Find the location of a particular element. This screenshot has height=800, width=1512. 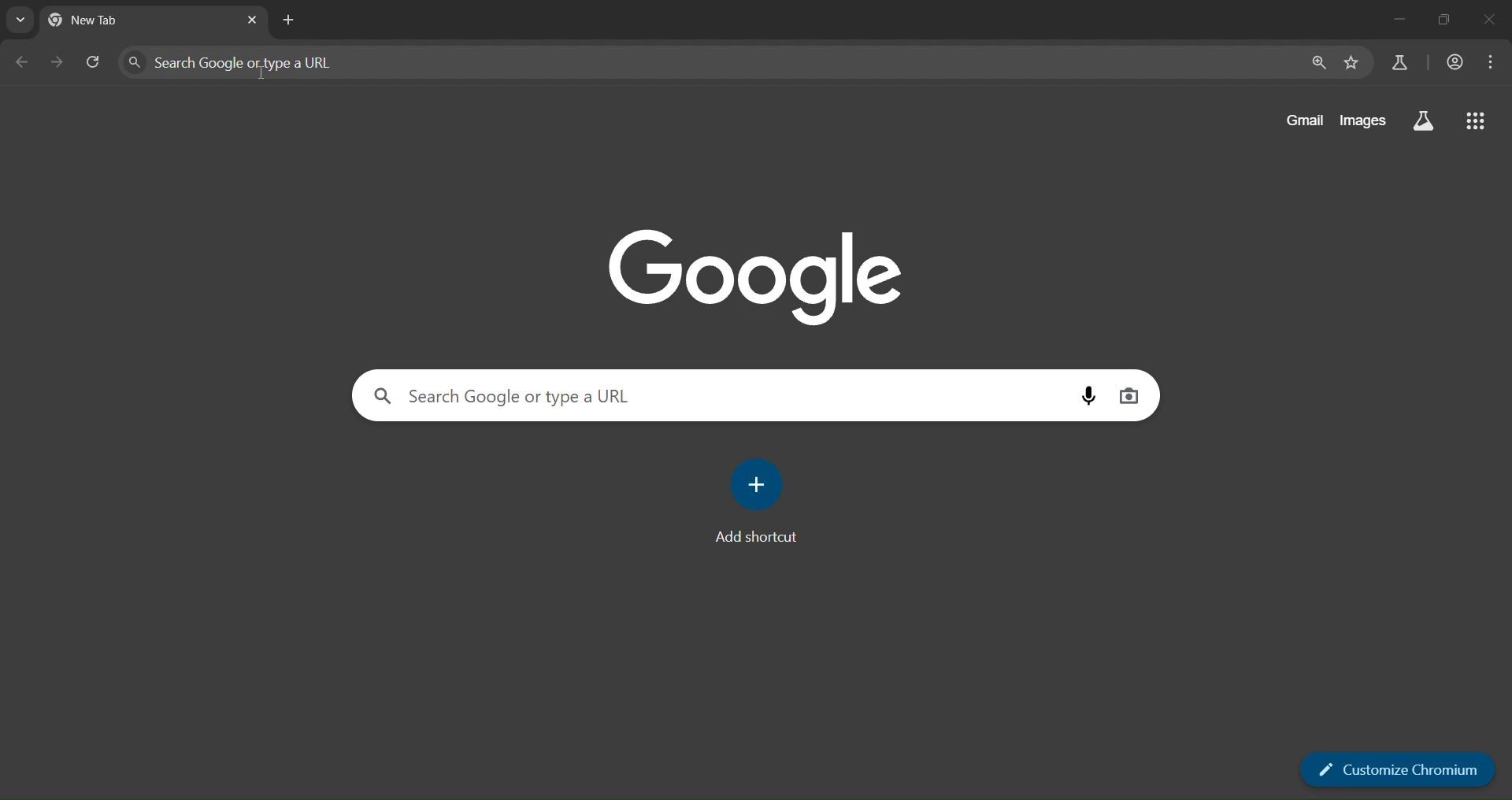

gmail is located at coordinates (1300, 122).